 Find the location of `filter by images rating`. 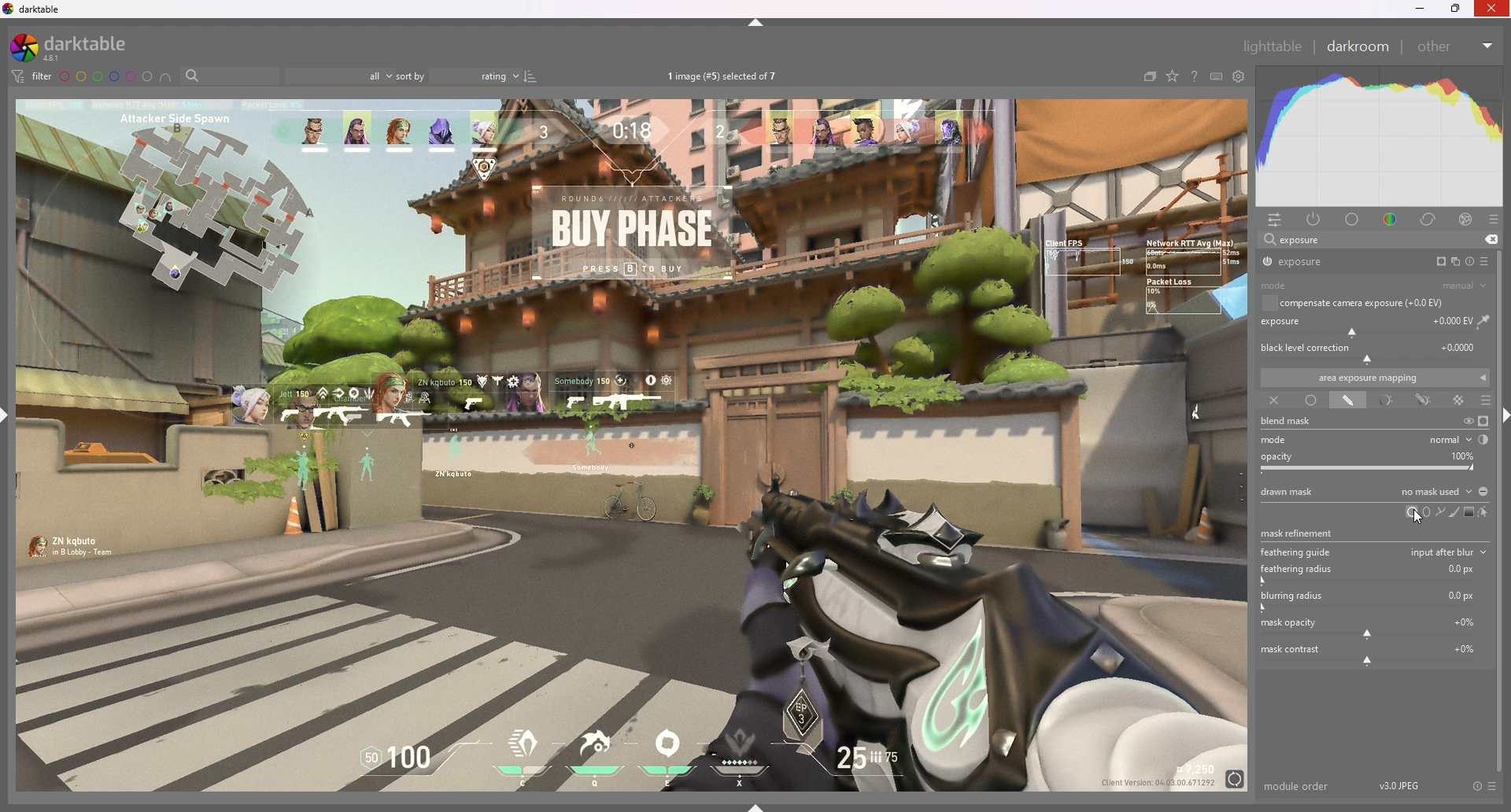

filter by images rating is located at coordinates (340, 76).